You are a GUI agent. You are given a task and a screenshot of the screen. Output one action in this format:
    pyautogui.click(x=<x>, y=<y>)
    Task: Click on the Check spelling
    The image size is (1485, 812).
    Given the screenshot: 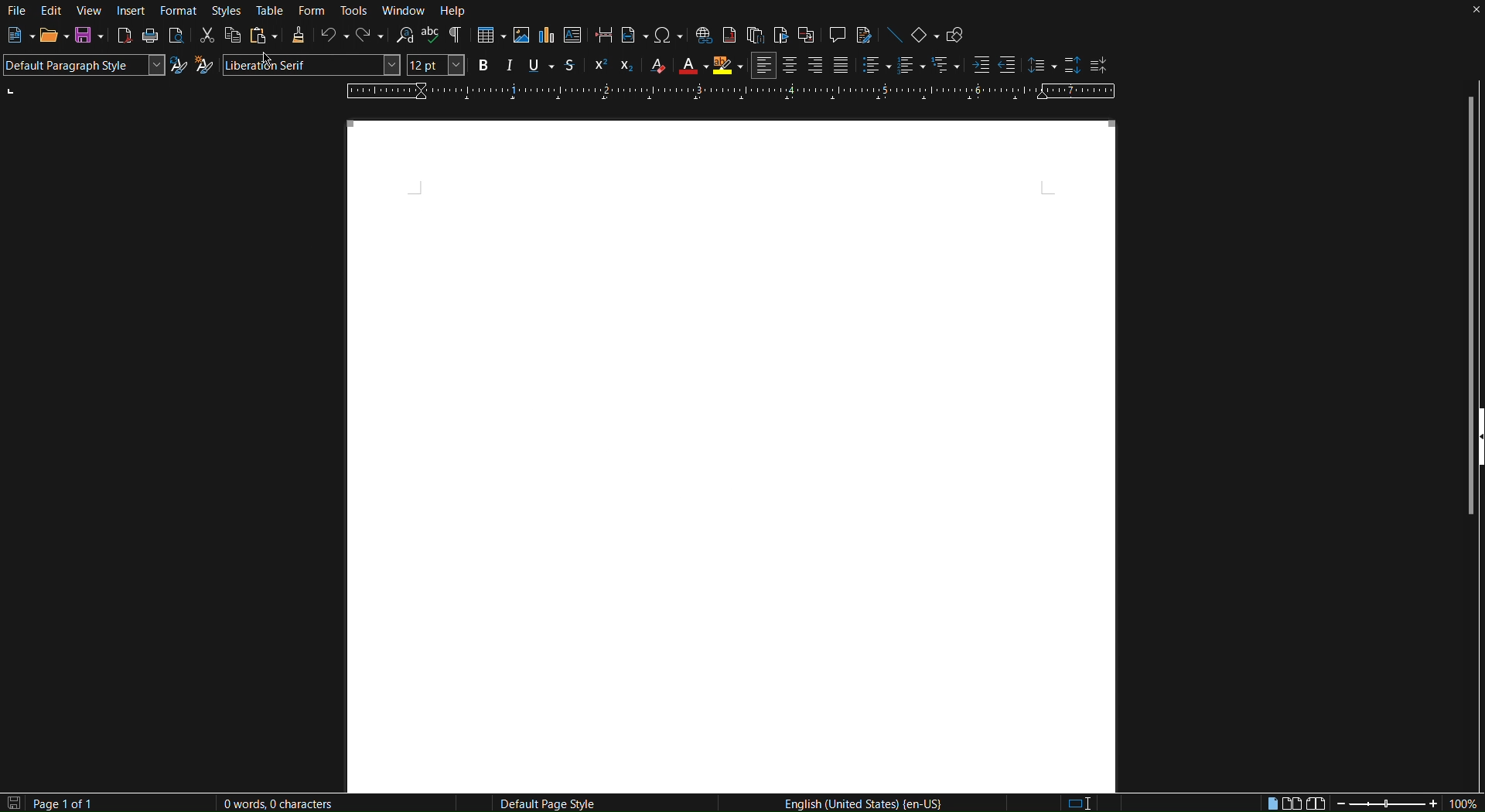 What is the action you would take?
    pyautogui.click(x=433, y=38)
    